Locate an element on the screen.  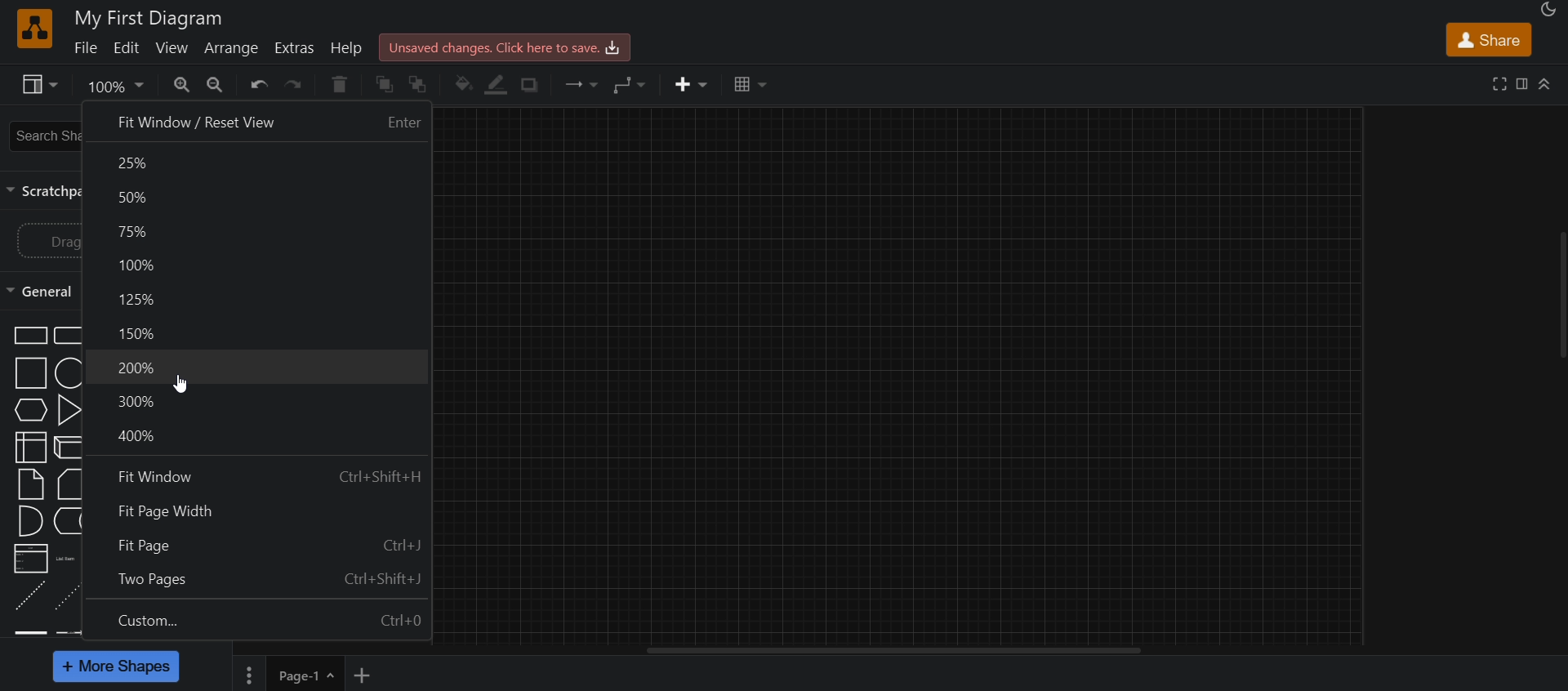
125% is located at coordinates (261, 295).